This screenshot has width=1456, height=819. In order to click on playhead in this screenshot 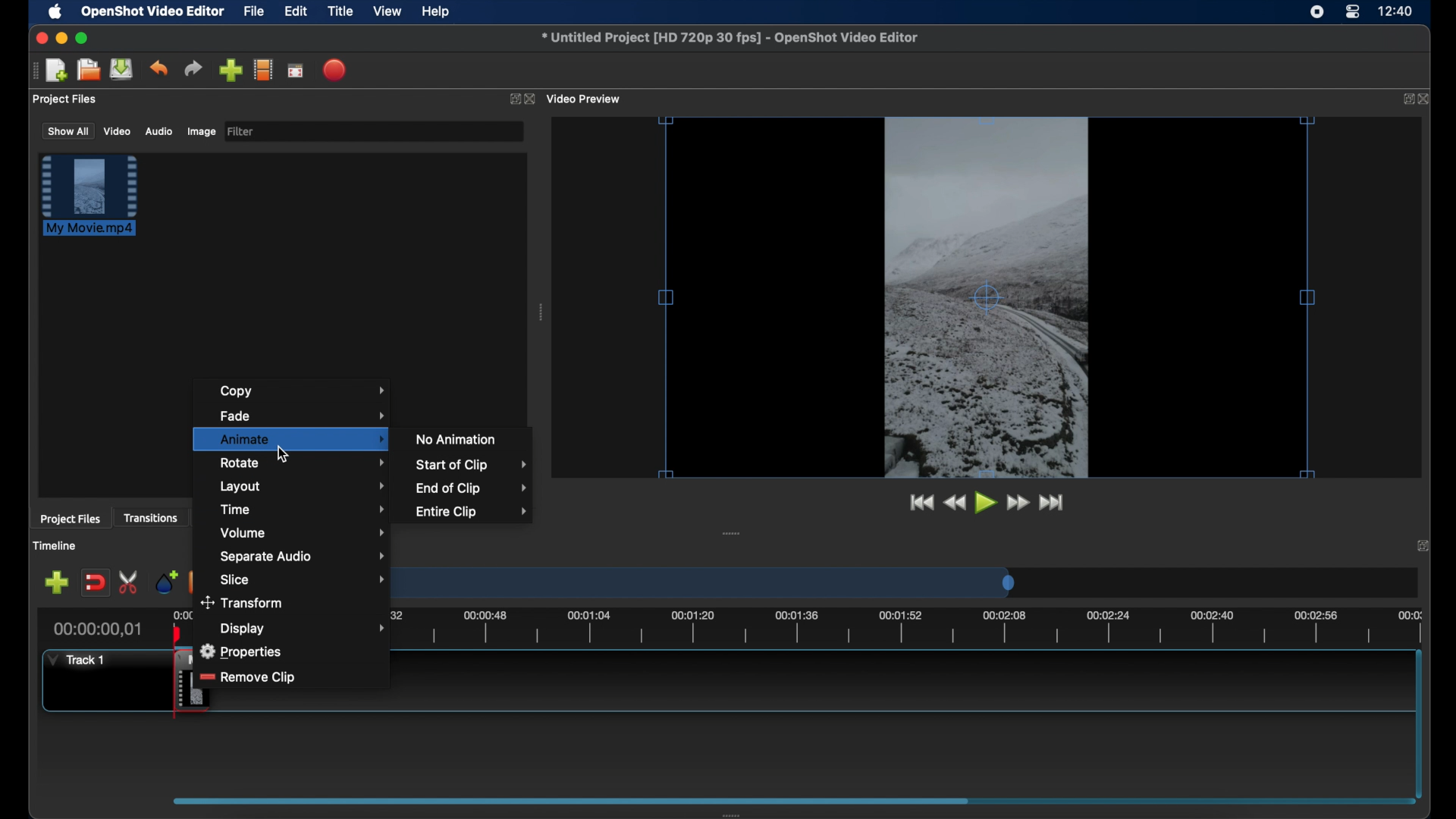, I will do `click(176, 631)`.